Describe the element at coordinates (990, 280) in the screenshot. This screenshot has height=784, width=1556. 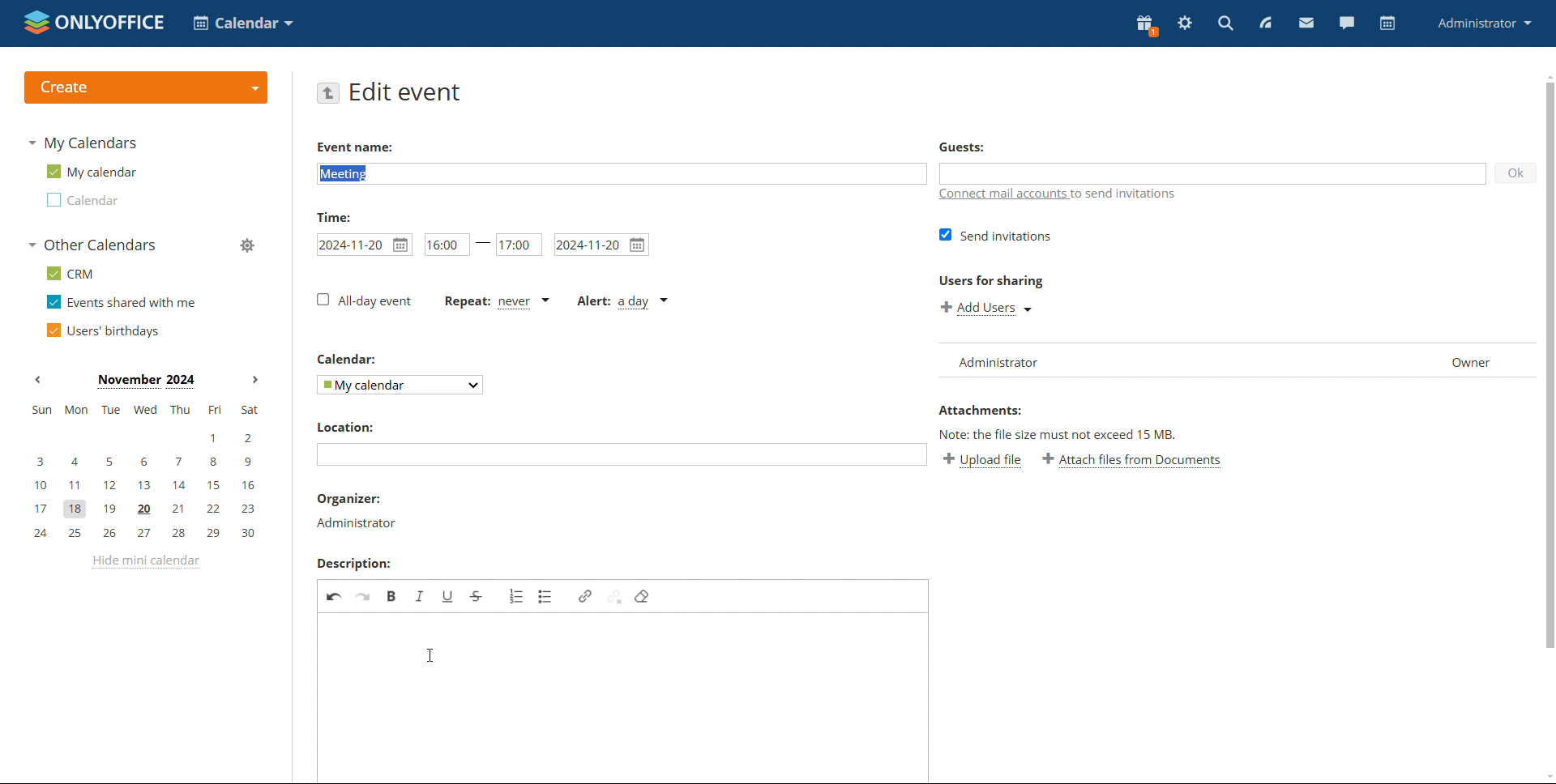
I see `users for sharing` at that location.